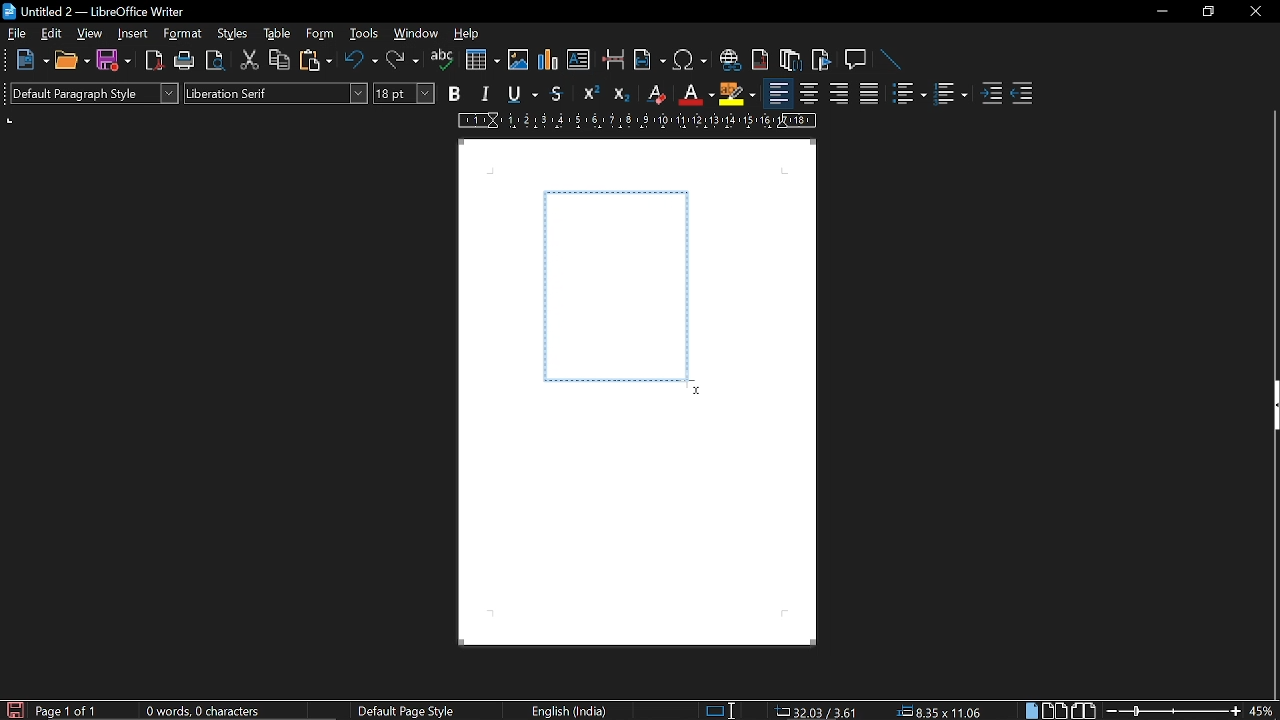 This screenshot has height=720, width=1280. What do you see at coordinates (822, 60) in the screenshot?
I see `insert bookmark` at bounding box center [822, 60].